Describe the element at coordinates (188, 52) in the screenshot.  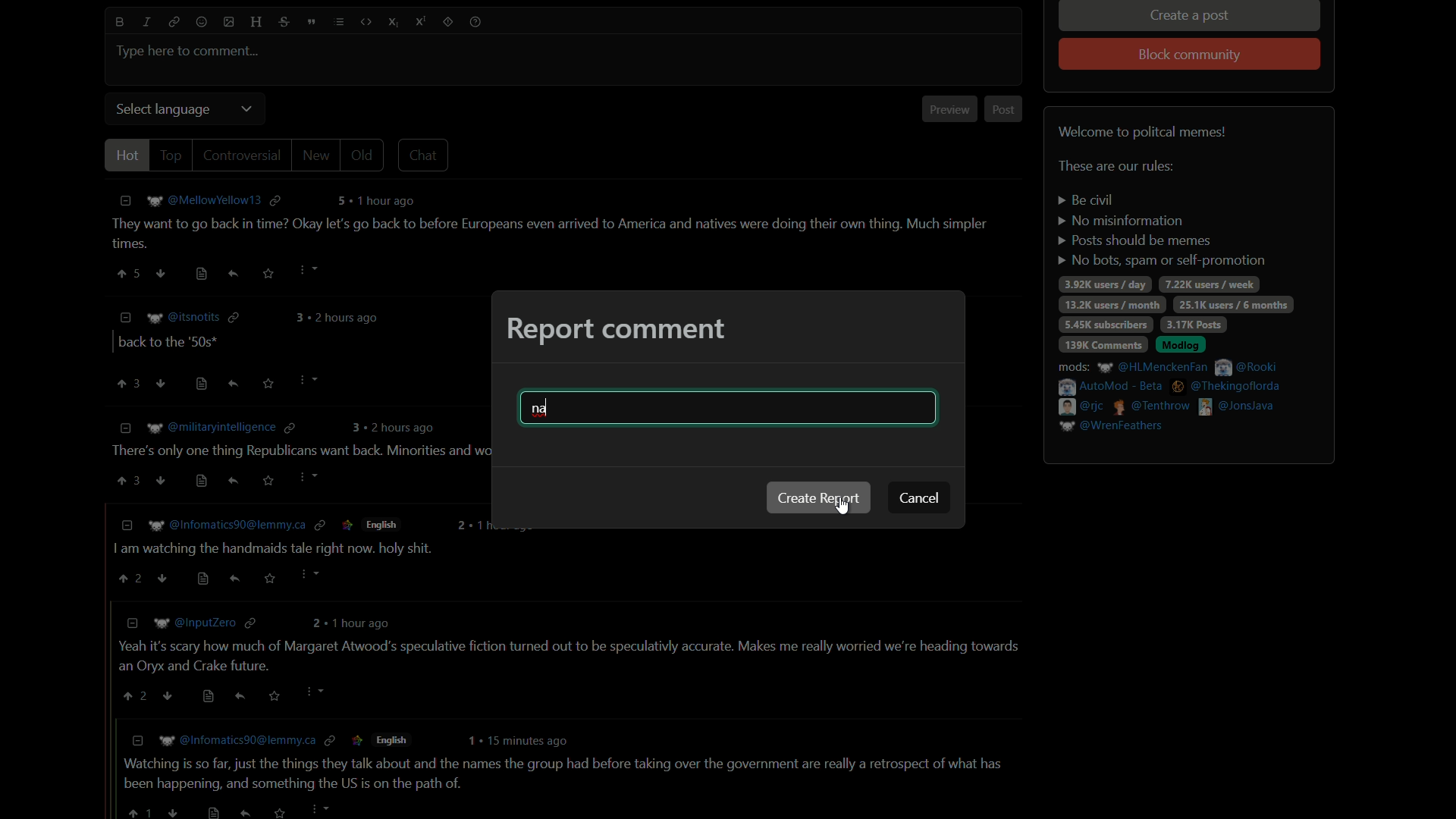
I see `type here to comment` at that location.